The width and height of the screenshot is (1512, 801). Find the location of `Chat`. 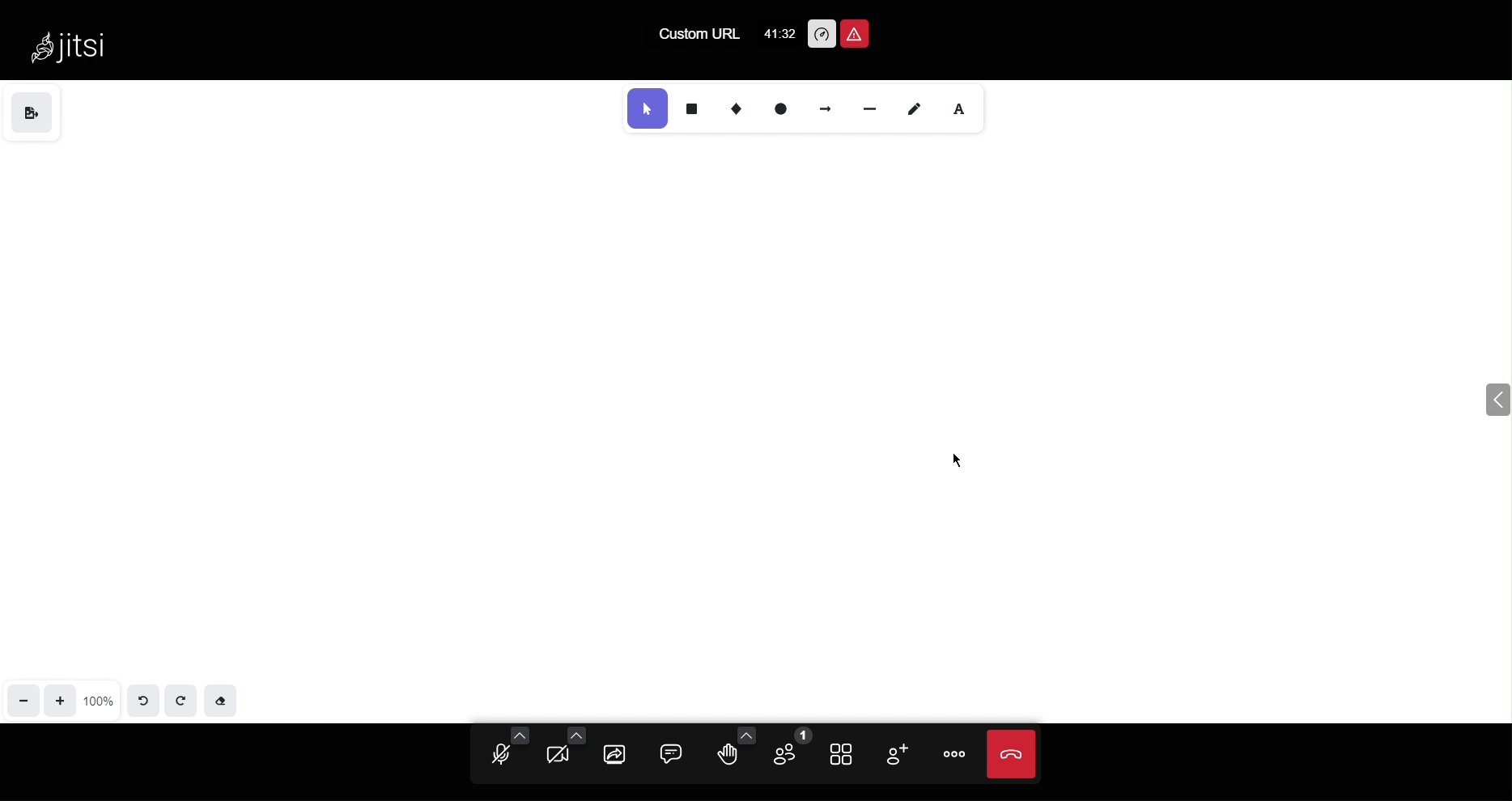

Chat is located at coordinates (673, 752).